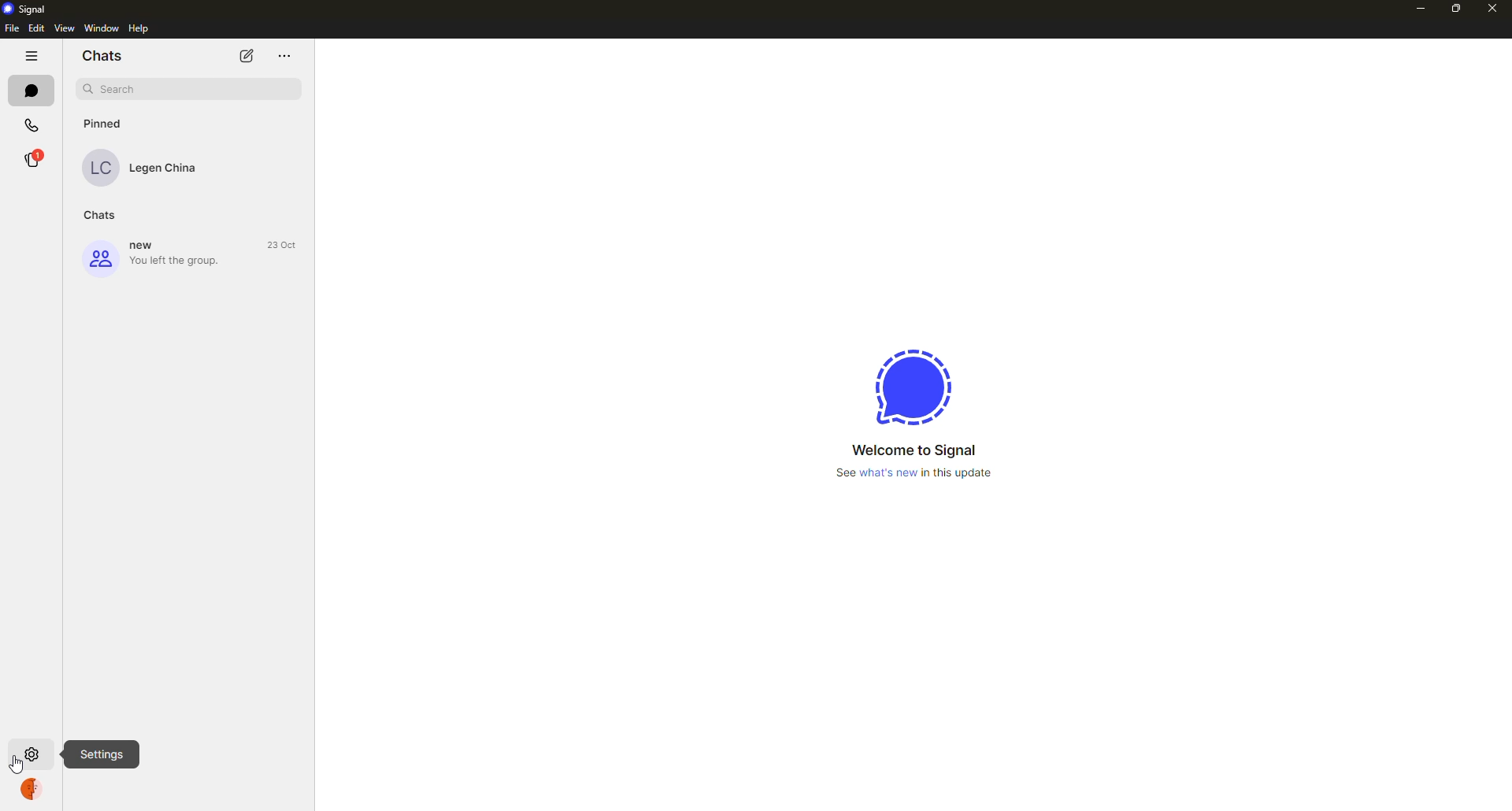  I want to click on You left the group., so click(176, 261).